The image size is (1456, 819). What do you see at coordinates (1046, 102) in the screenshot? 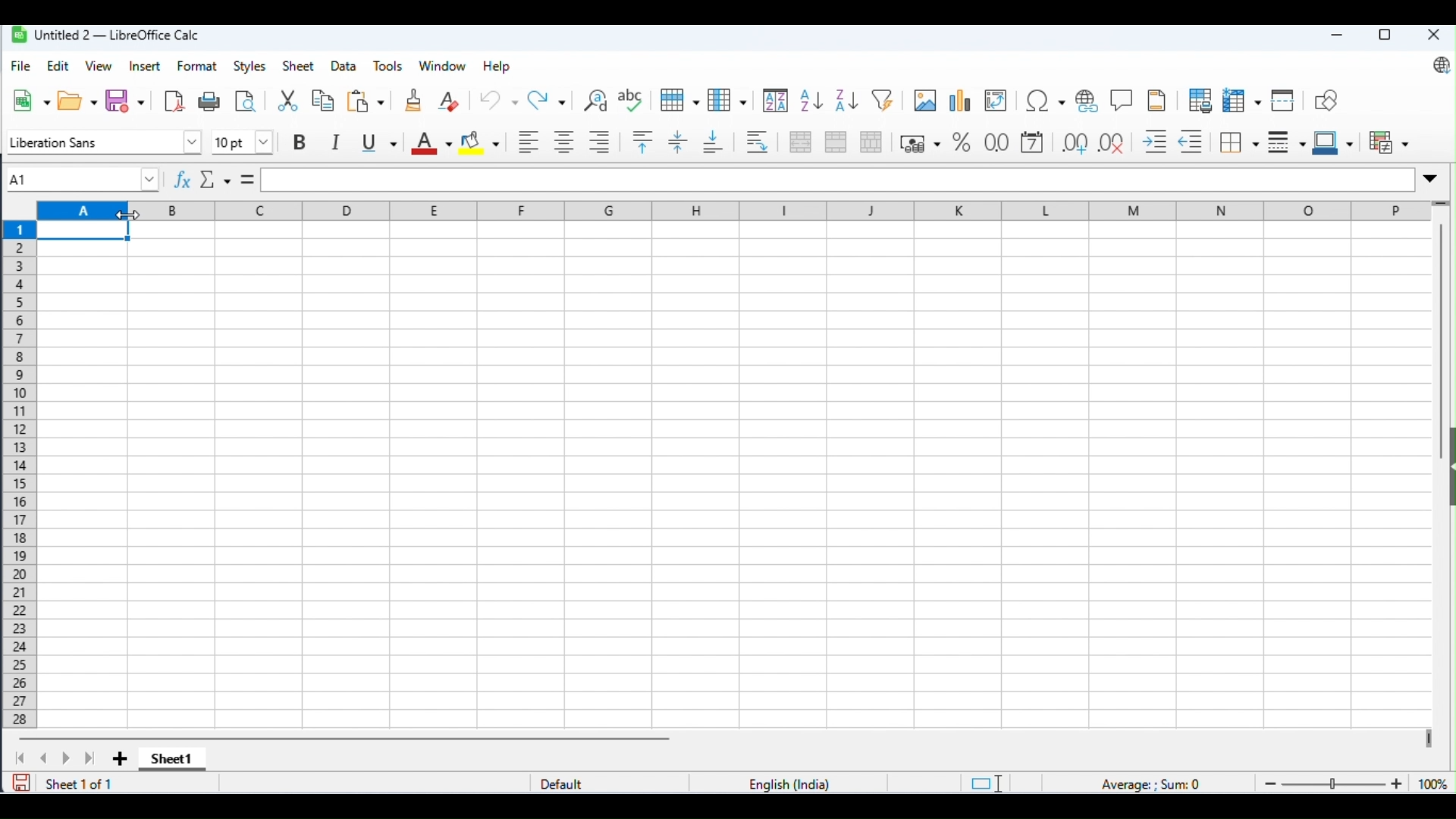
I see `insert special characters` at bounding box center [1046, 102].